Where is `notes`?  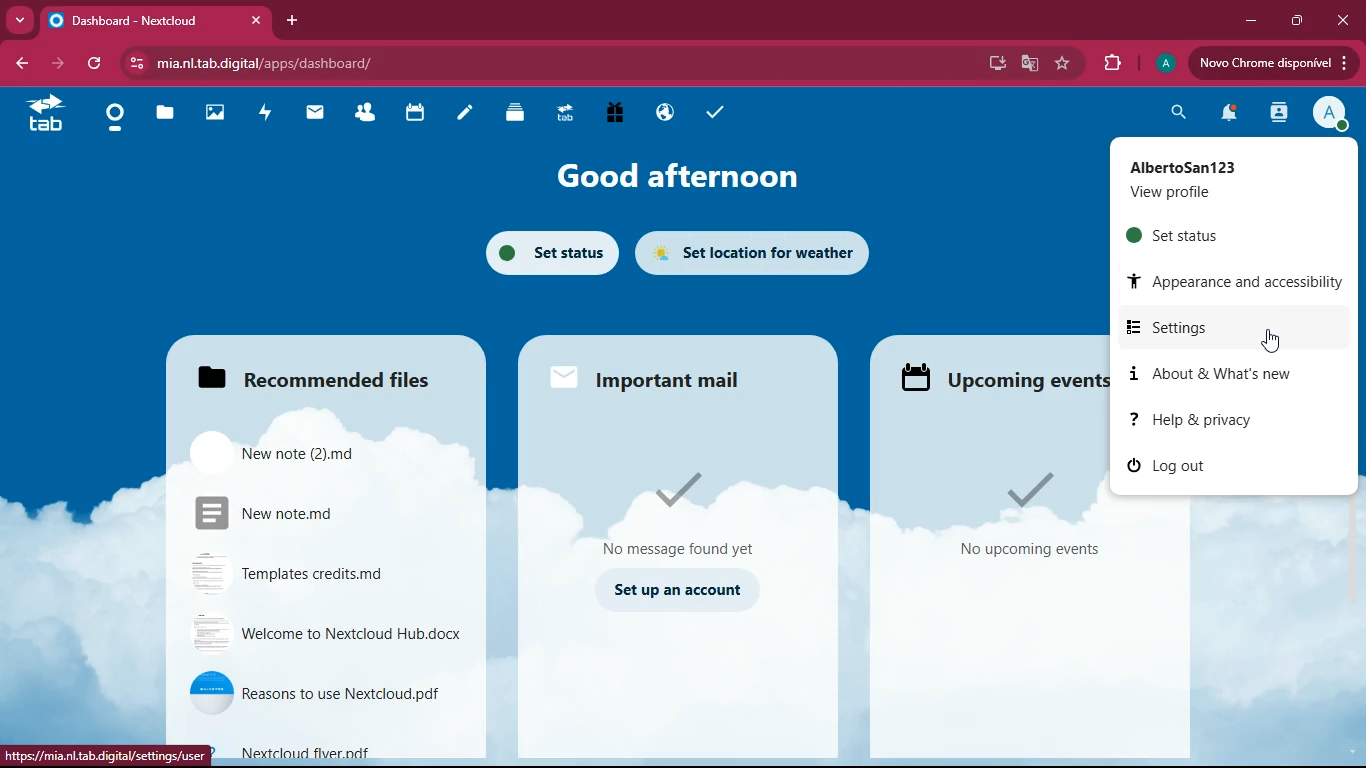 notes is located at coordinates (468, 116).